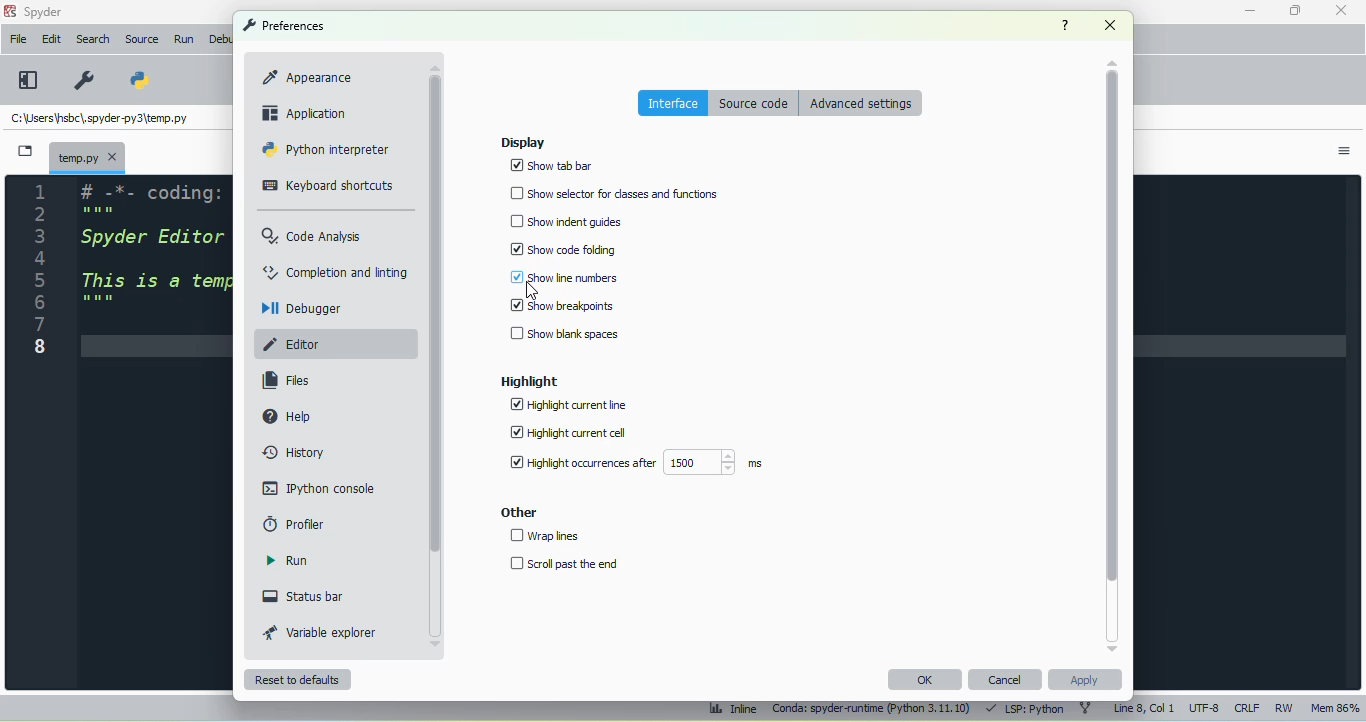  What do you see at coordinates (295, 344) in the screenshot?
I see `editor` at bounding box center [295, 344].